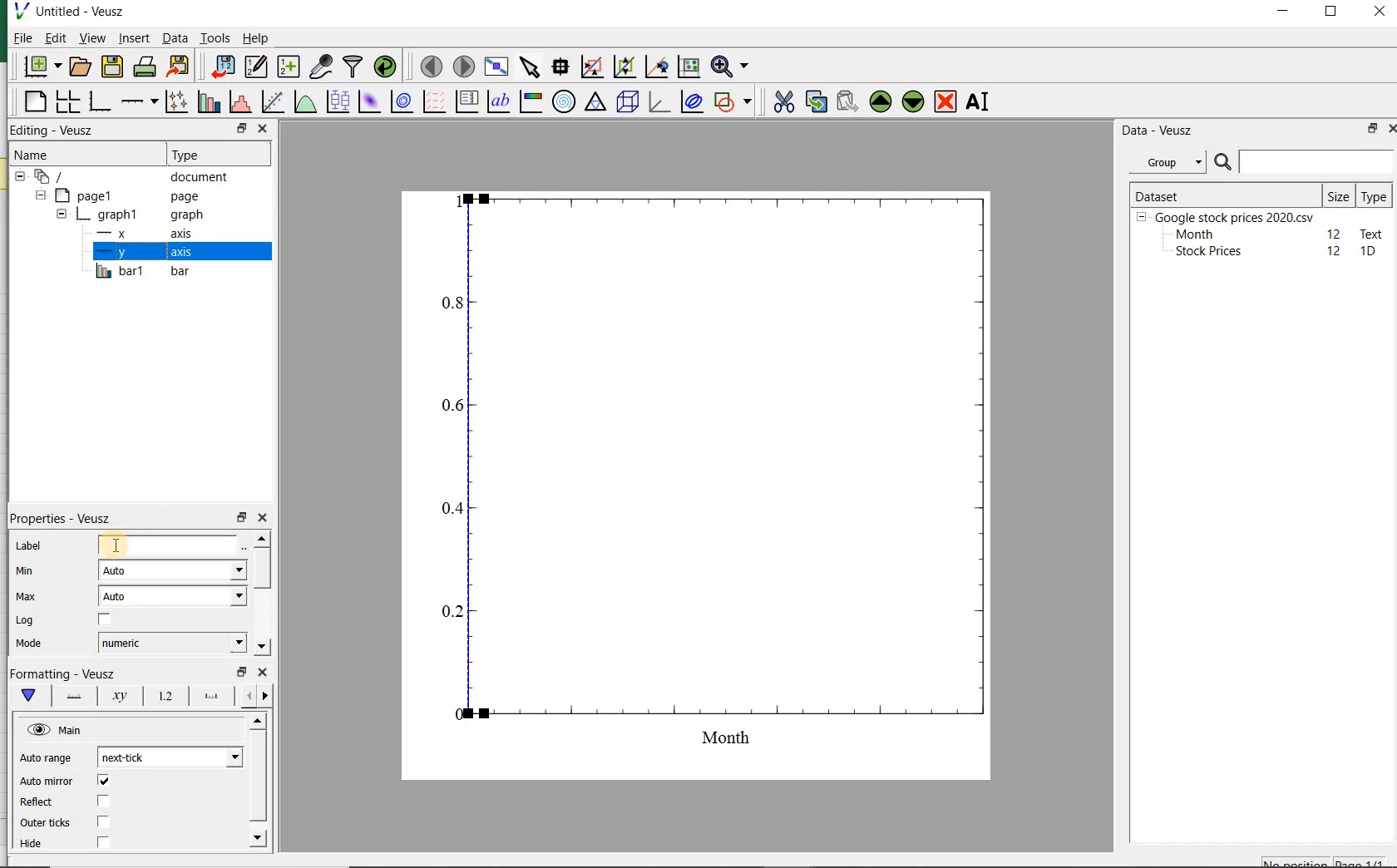  I want to click on plot a 2d dataset as contours, so click(399, 103).